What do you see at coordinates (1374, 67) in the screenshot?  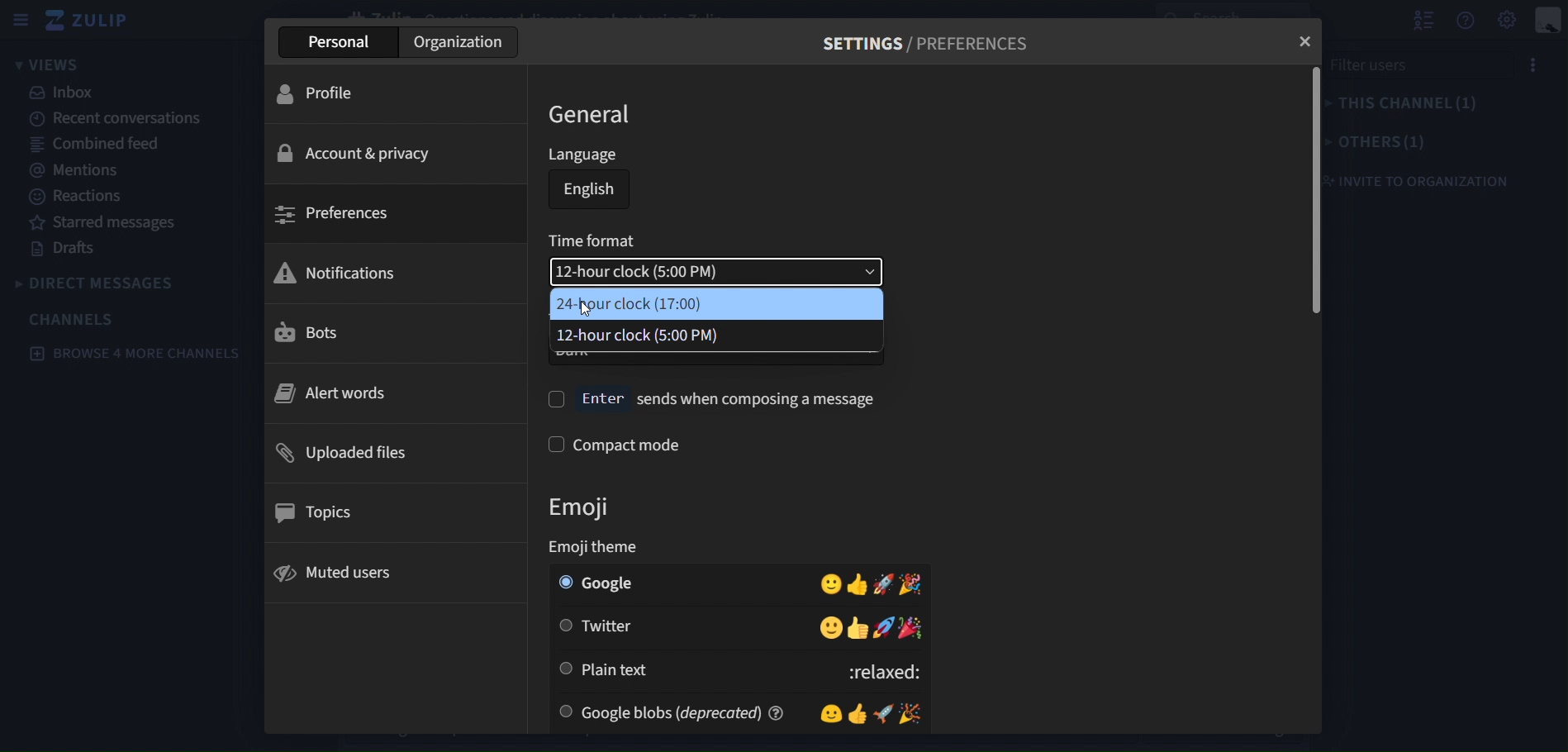 I see `filter users` at bounding box center [1374, 67].